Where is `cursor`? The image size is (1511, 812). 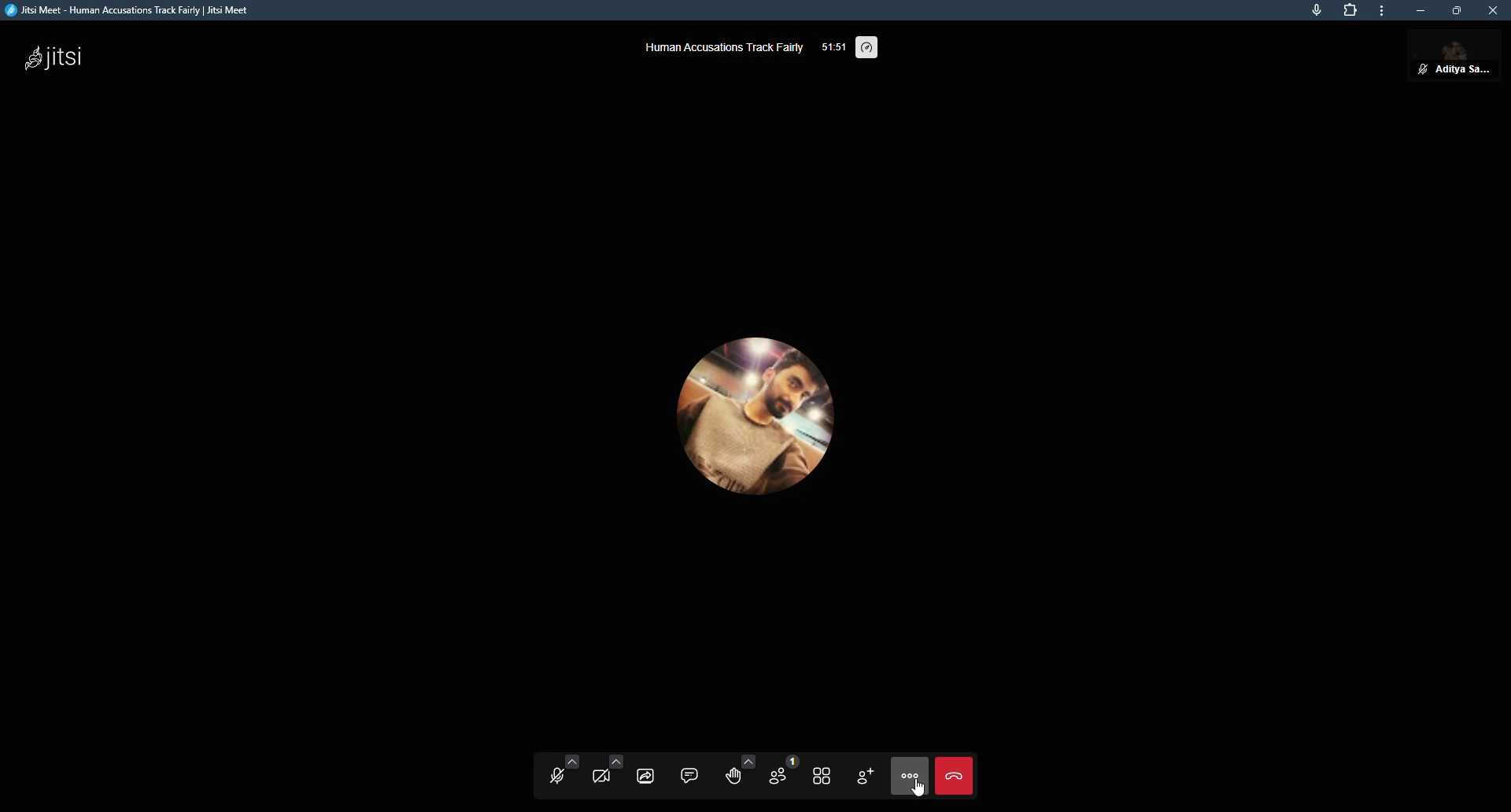 cursor is located at coordinates (918, 777).